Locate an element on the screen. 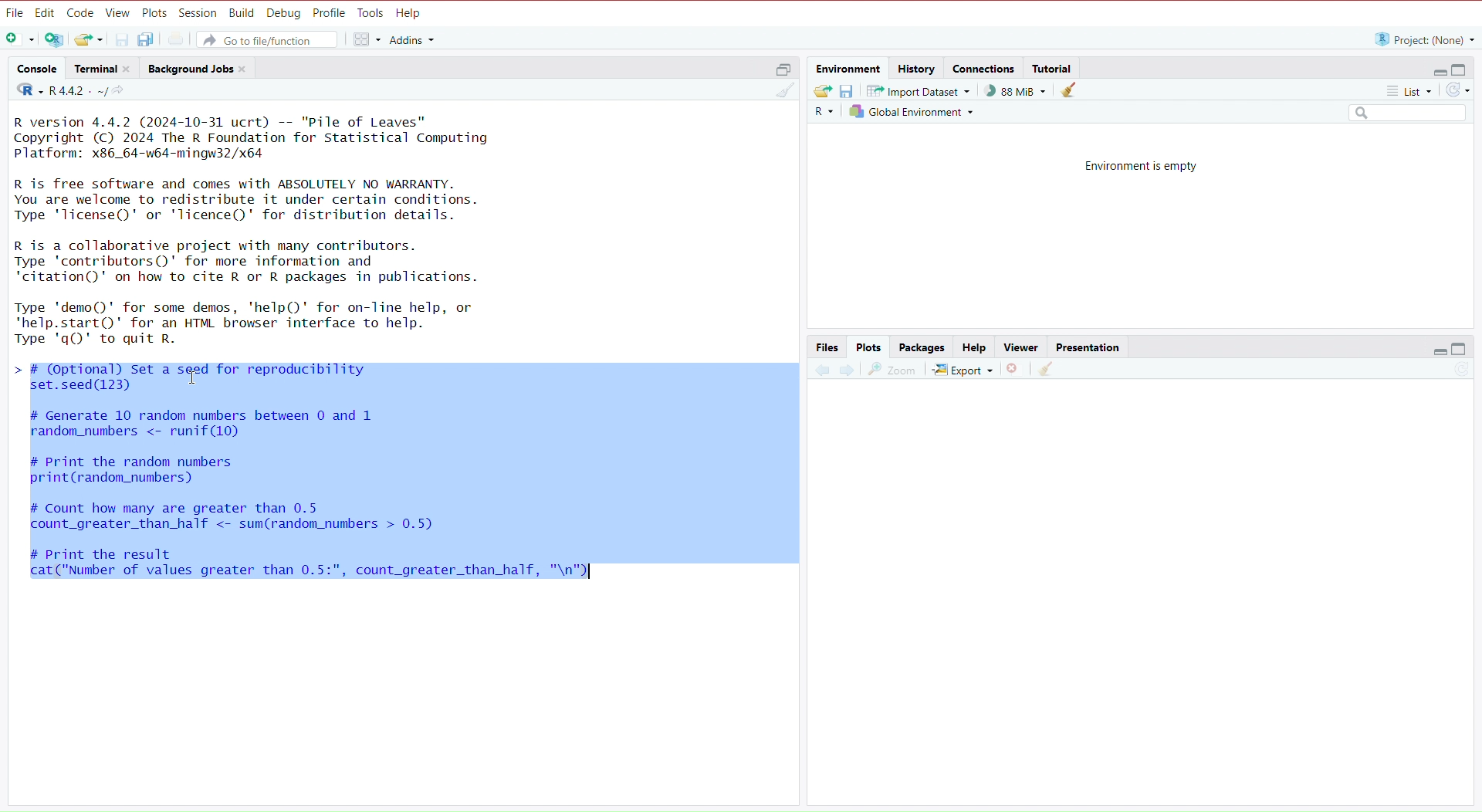 Image resolution: width=1482 pixels, height=812 pixels. Edit is located at coordinates (46, 12).